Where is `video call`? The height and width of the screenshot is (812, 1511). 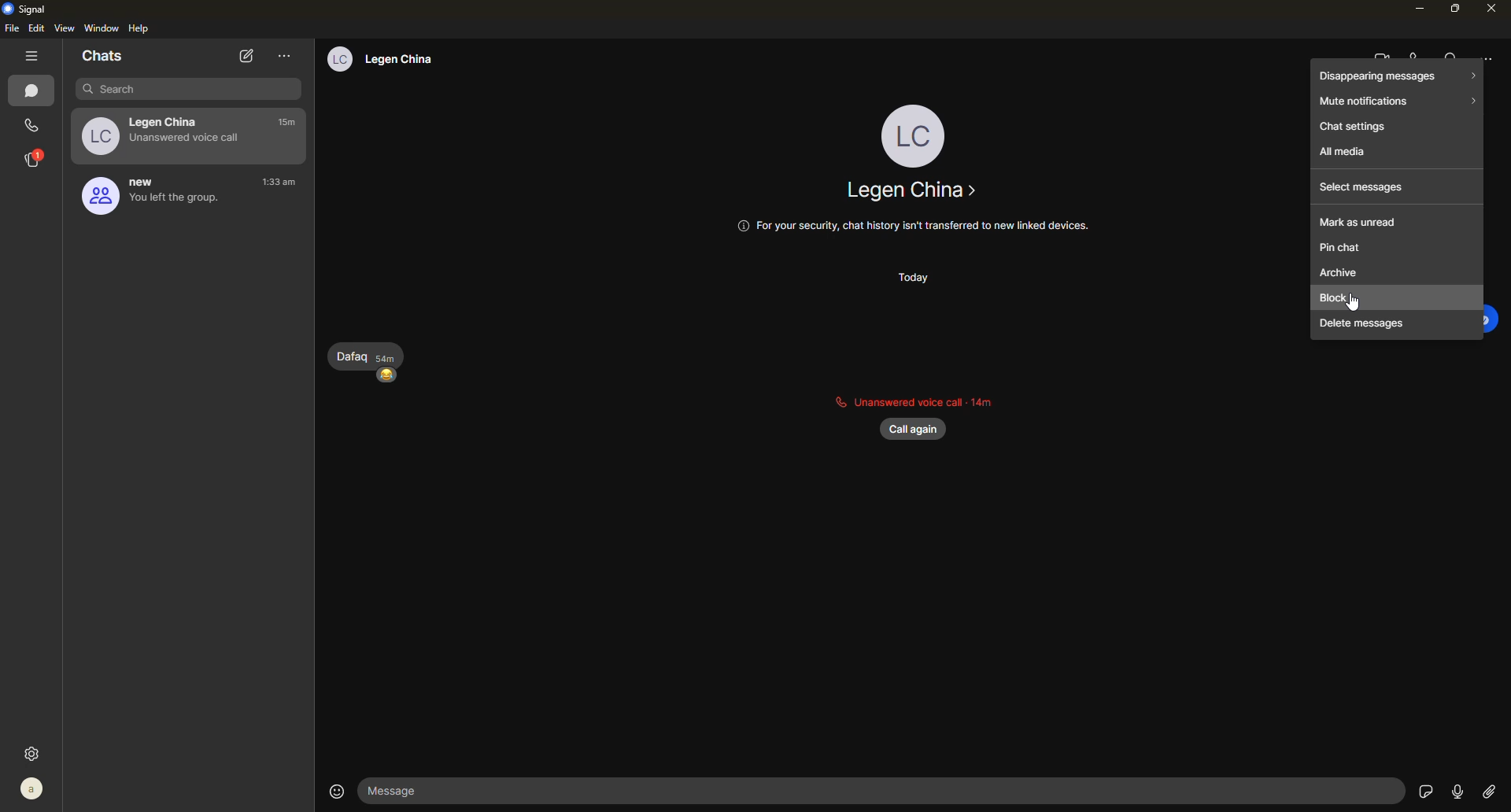
video call is located at coordinates (1379, 51).